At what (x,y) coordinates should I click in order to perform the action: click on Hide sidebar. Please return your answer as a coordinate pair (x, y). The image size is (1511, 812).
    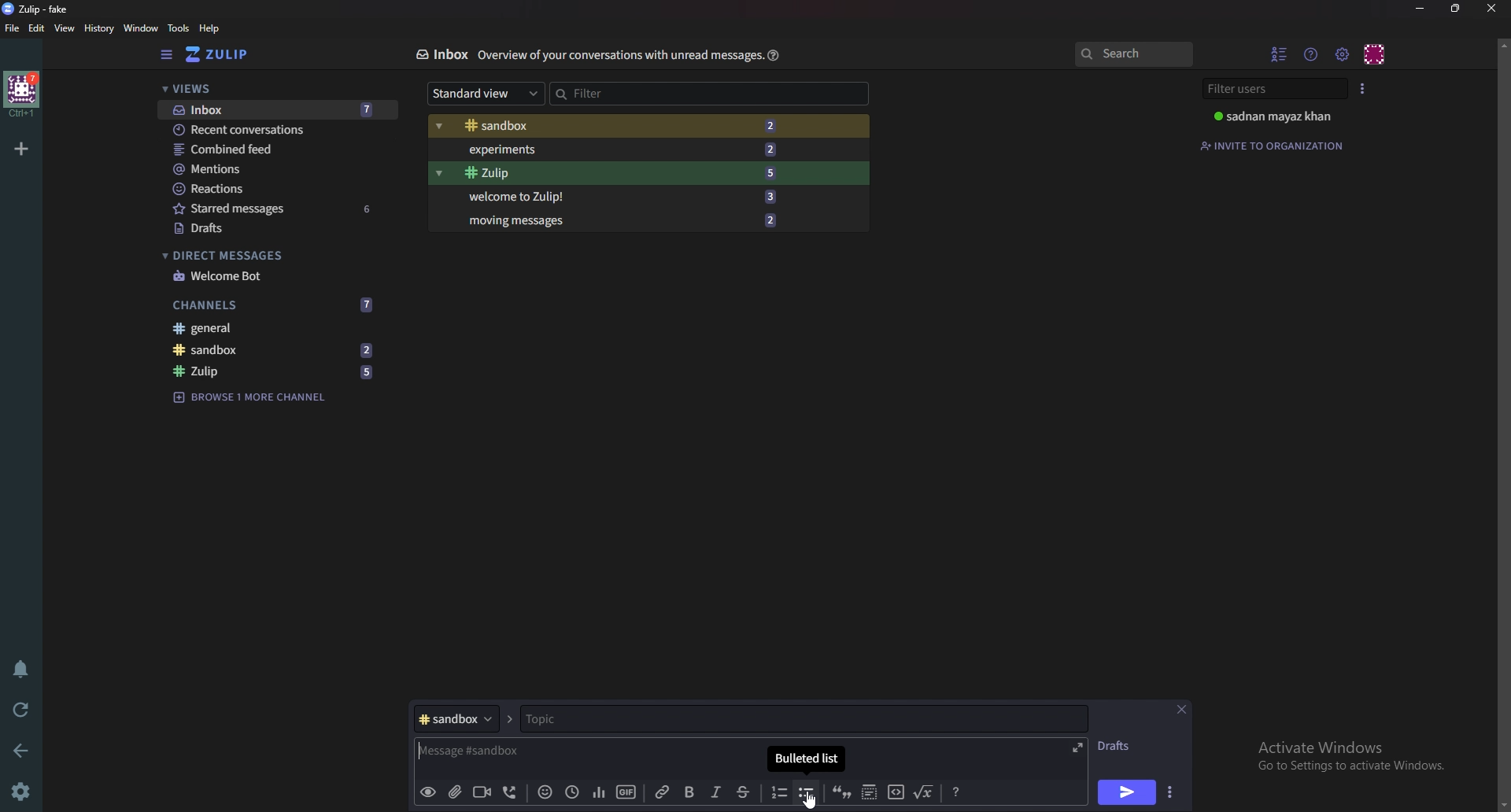
    Looking at the image, I should click on (168, 54).